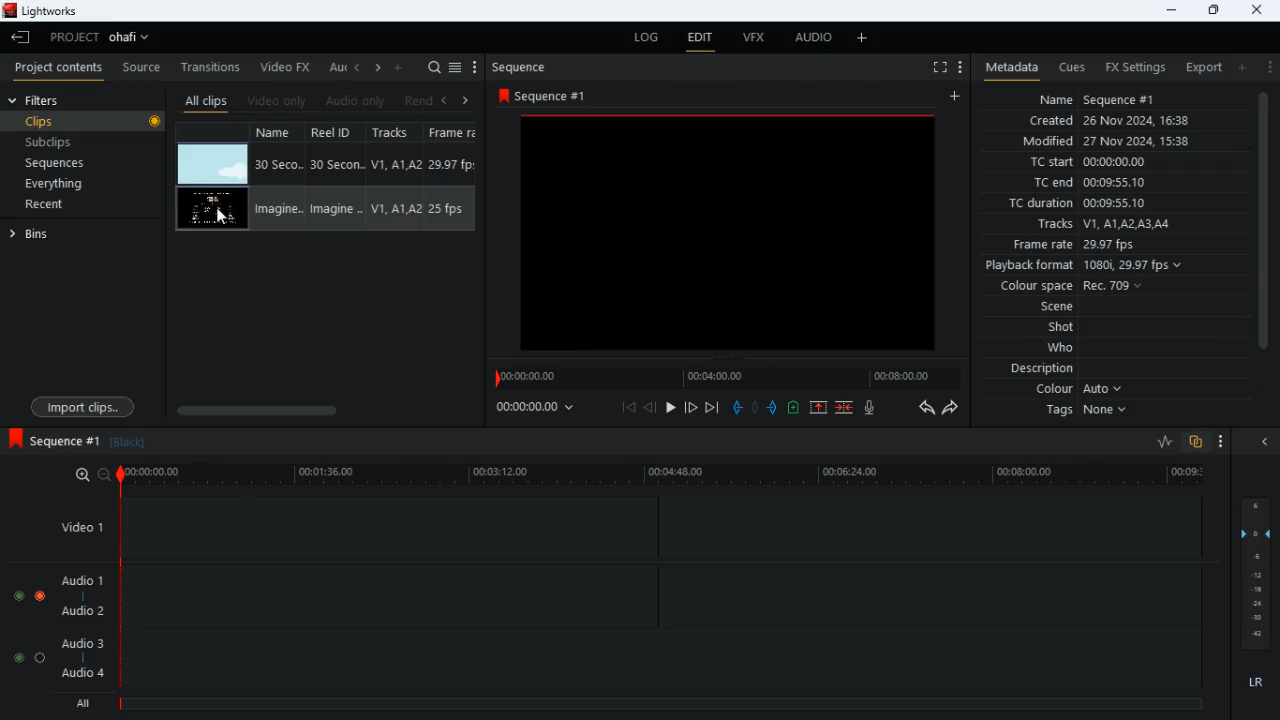 This screenshot has height=720, width=1280. Describe the element at coordinates (1224, 440) in the screenshot. I see `more` at that location.